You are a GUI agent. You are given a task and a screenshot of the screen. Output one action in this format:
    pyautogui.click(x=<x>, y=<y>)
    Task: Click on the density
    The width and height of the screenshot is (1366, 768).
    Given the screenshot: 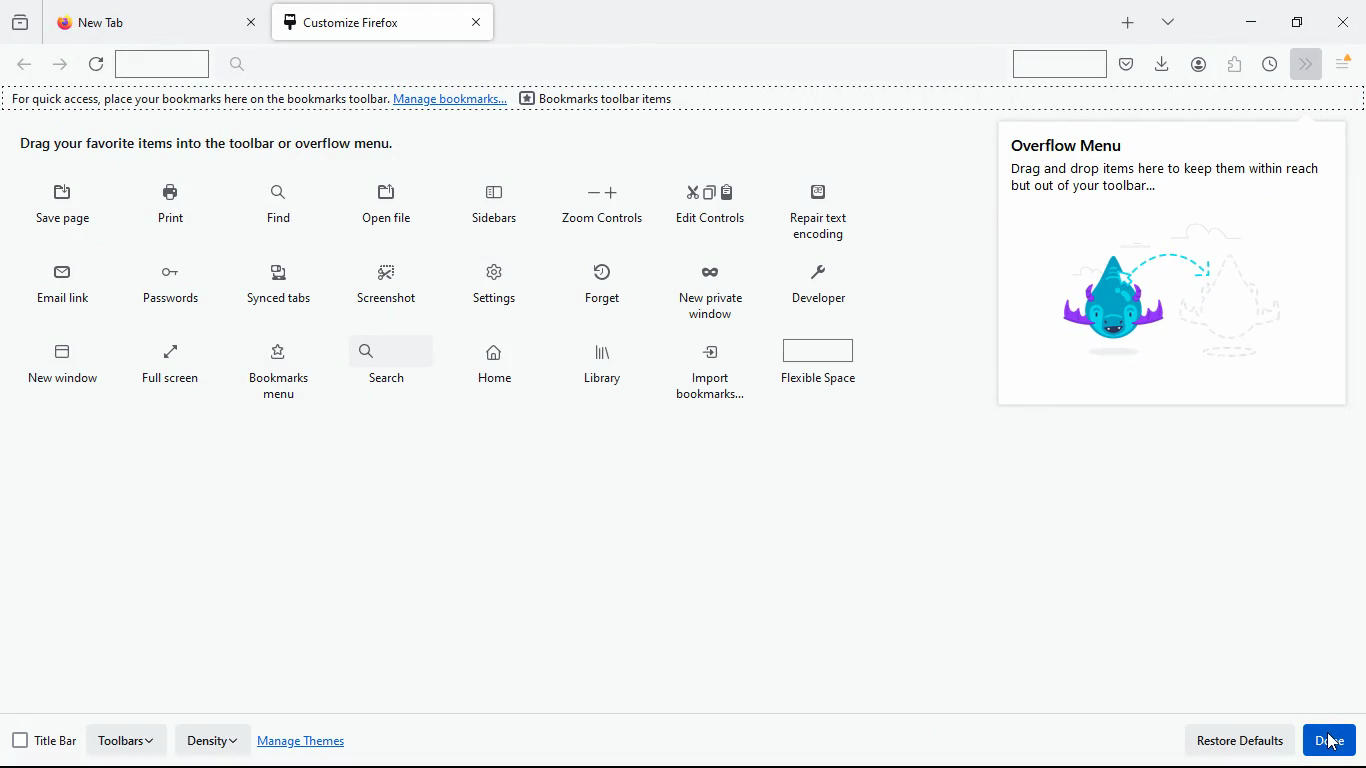 What is the action you would take?
    pyautogui.click(x=214, y=736)
    